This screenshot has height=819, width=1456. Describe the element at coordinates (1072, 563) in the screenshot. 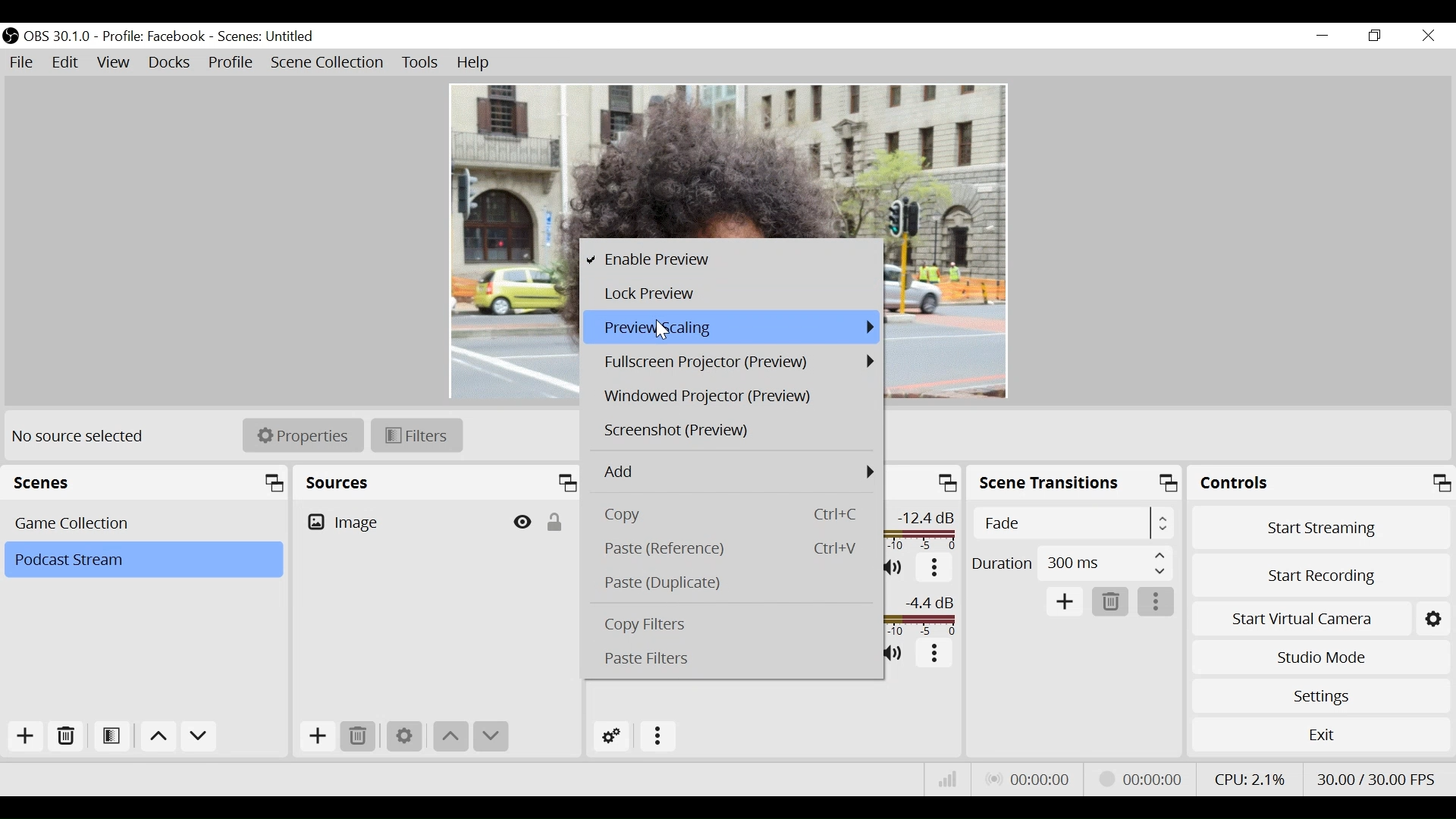

I see `Duration` at that location.